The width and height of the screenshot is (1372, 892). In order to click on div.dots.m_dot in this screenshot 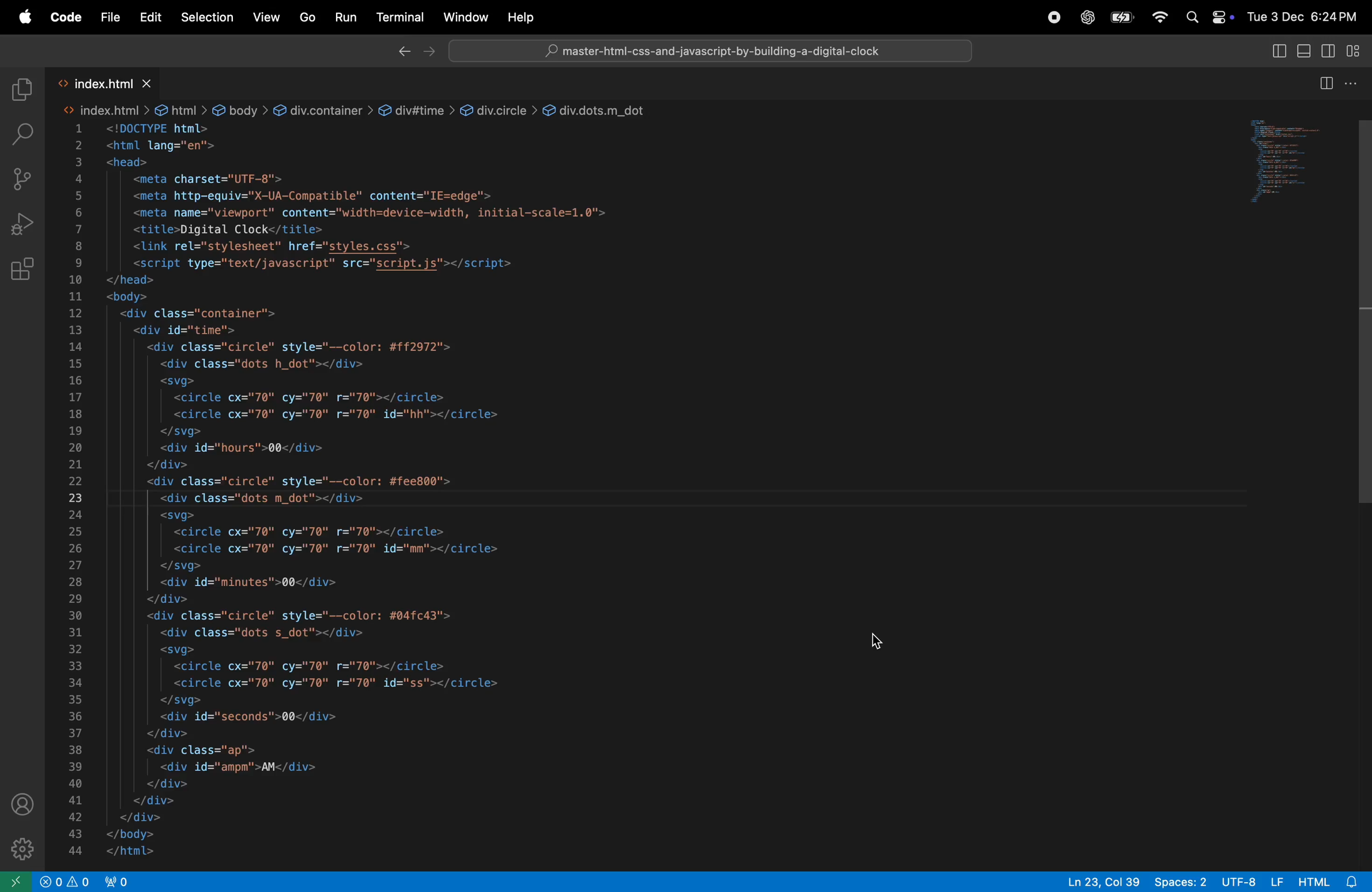, I will do `click(598, 108)`.